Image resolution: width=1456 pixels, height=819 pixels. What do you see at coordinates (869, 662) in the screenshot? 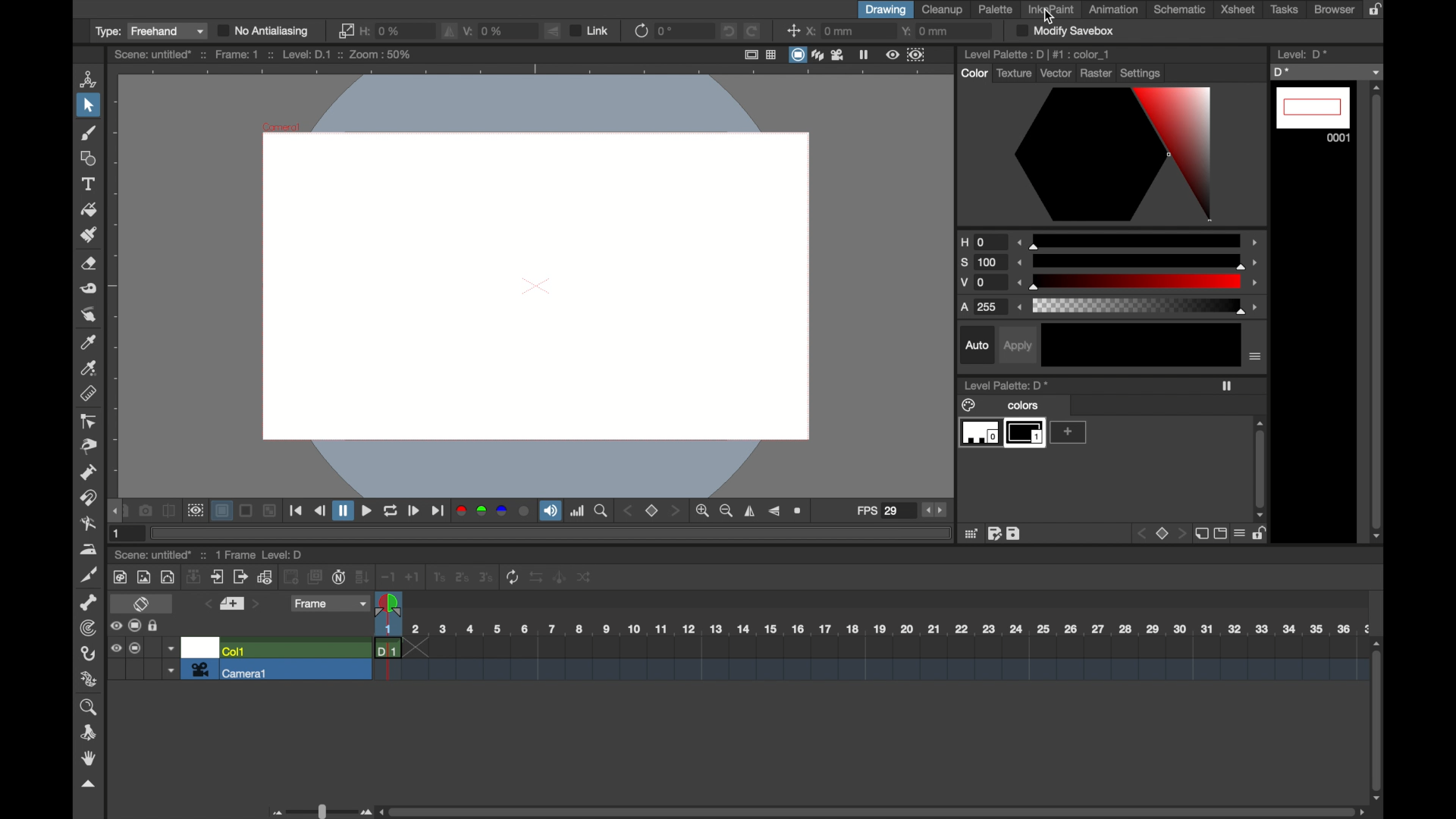
I see `scene` at bounding box center [869, 662].